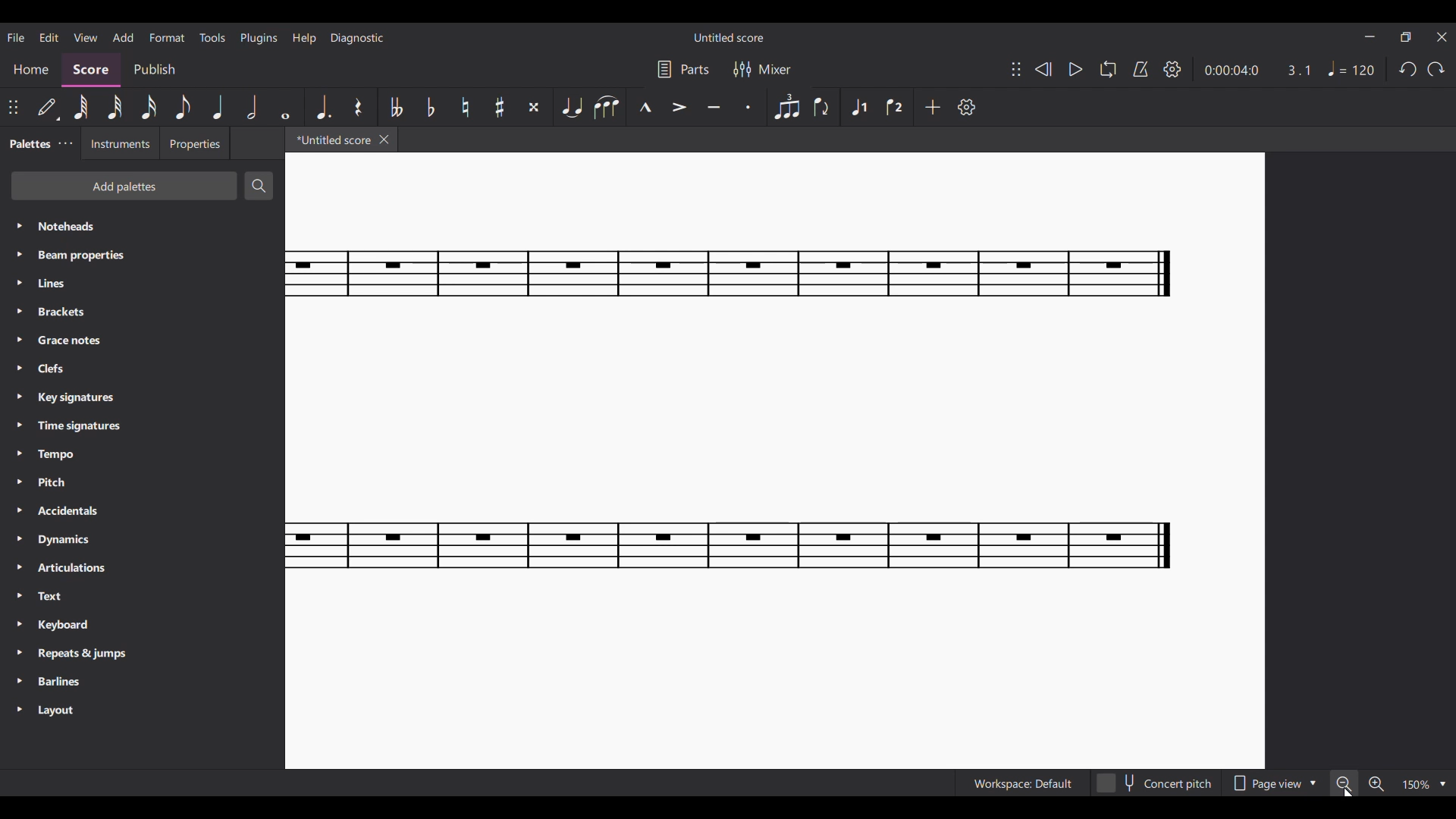  I want to click on Add, so click(932, 107).